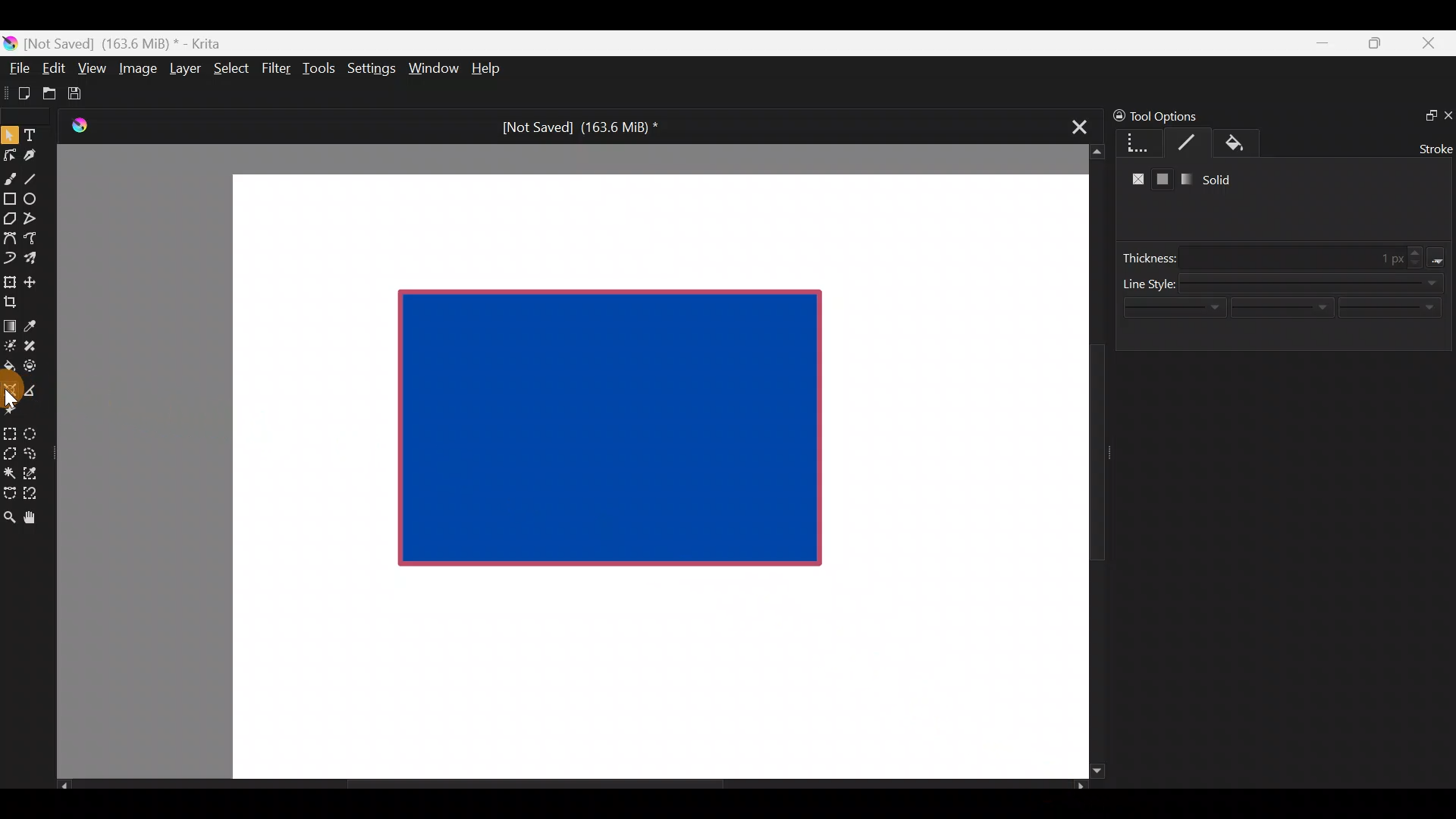  I want to click on Cursor on Assistant tool, so click(14, 400).